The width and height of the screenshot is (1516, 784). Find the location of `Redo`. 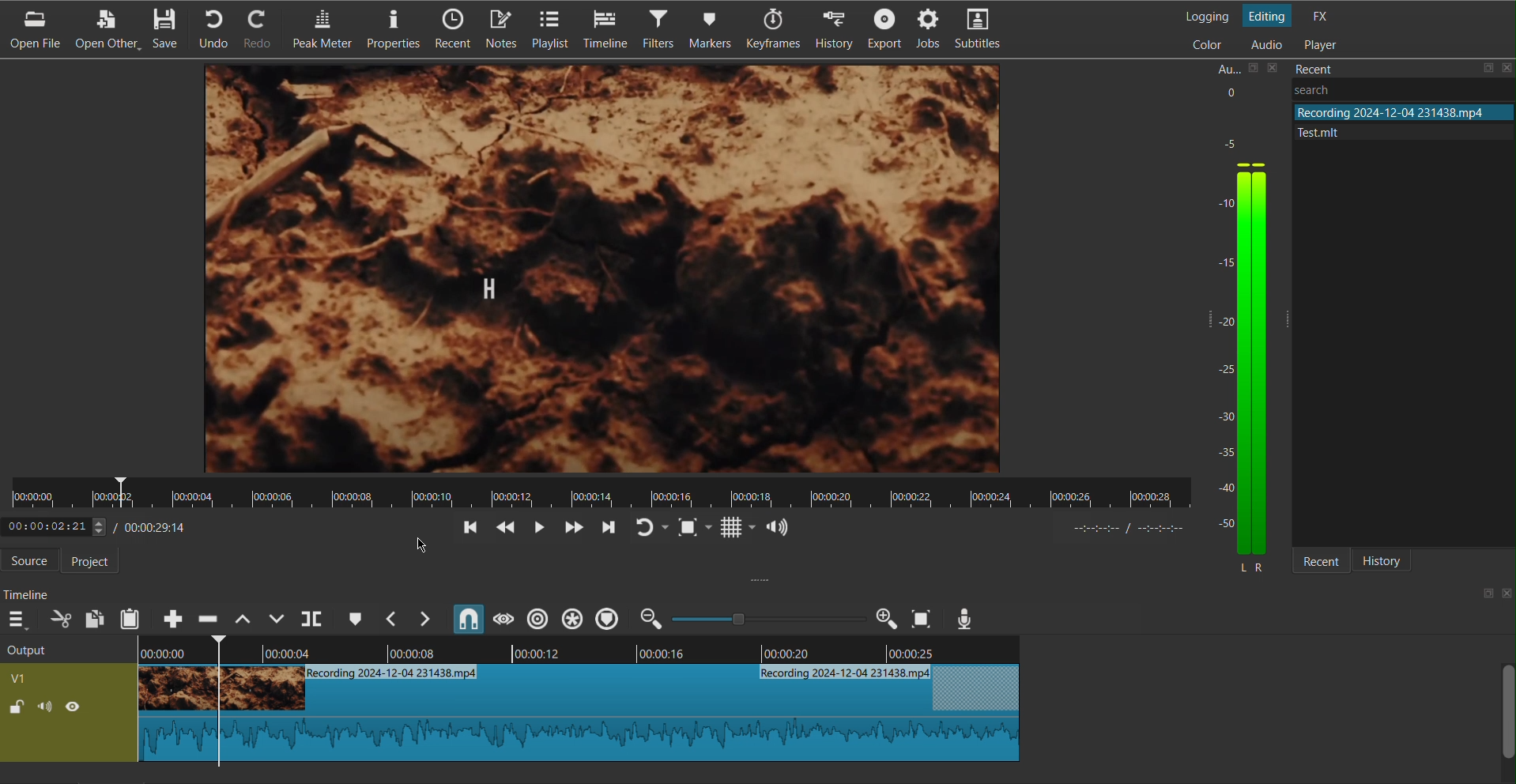

Redo is located at coordinates (648, 528).